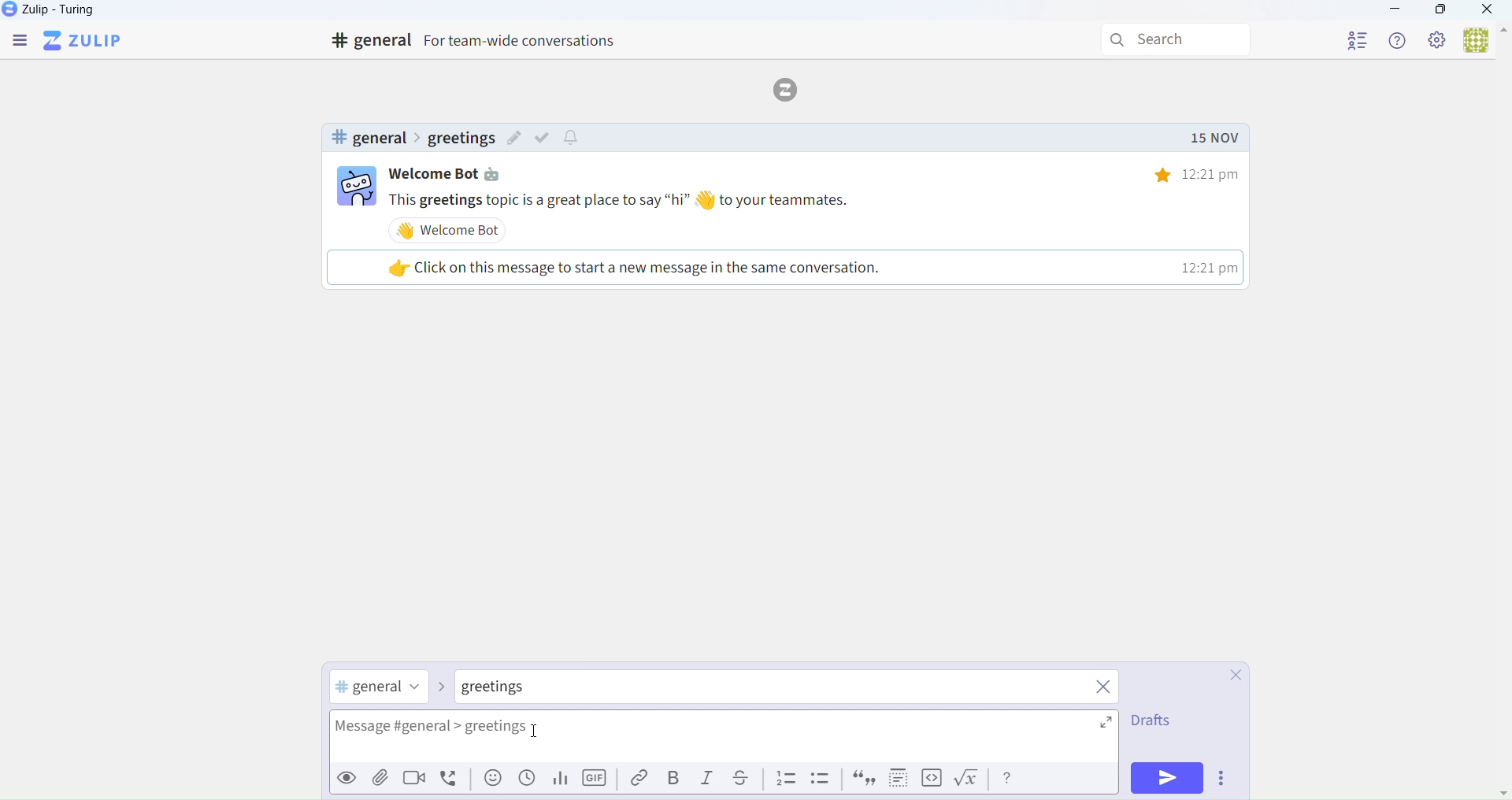 Image resolution: width=1512 pixels, height=800 pixels. Describe the element at coordinates (527, 783) in the screenshot. I see `schedule` at that location.